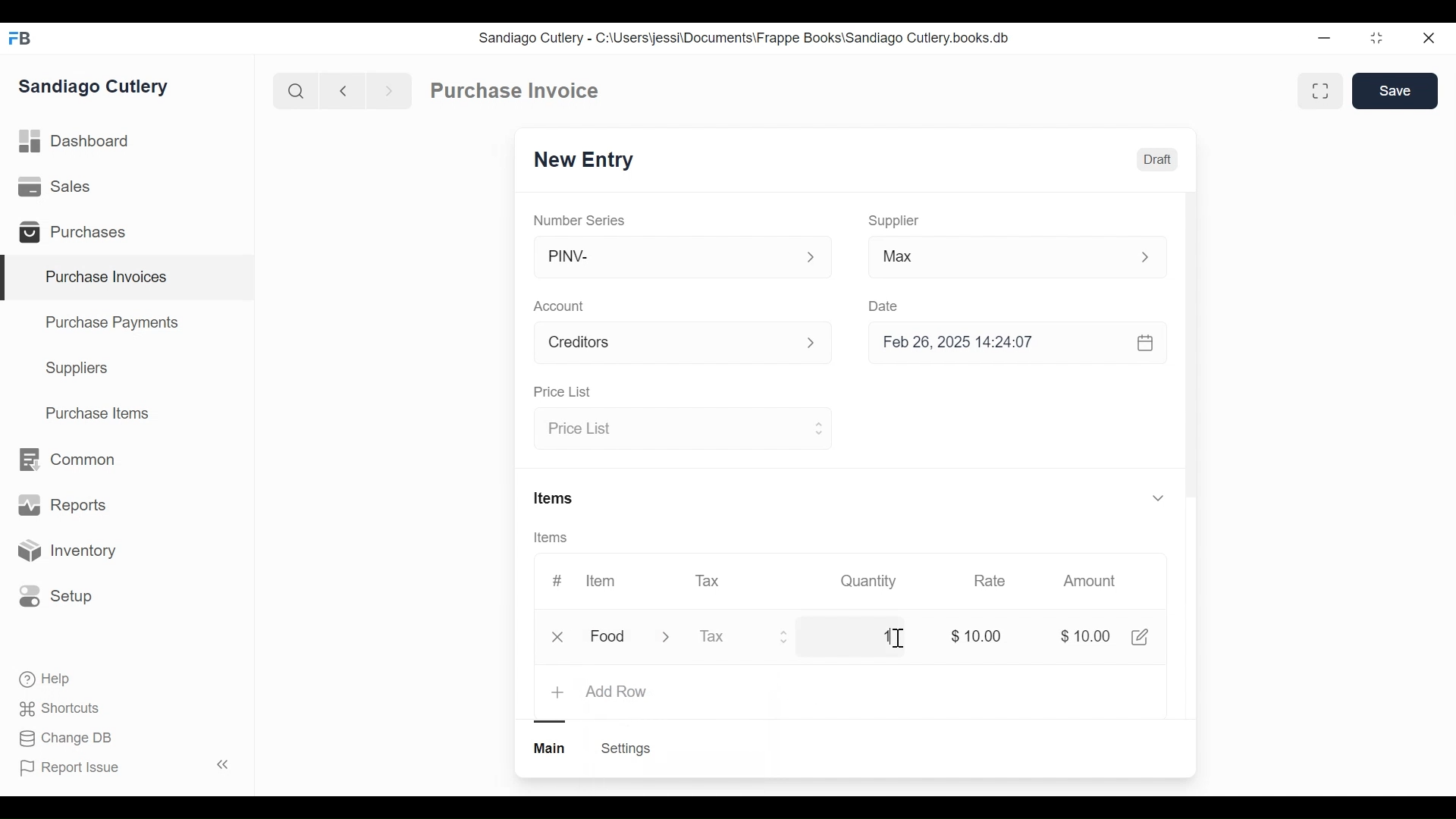 Image resolution: width=1456 pixels, height=819 pixels. Describe the element at coordinates (894, 221) in the screenshot. I see `Supplier` at that location.